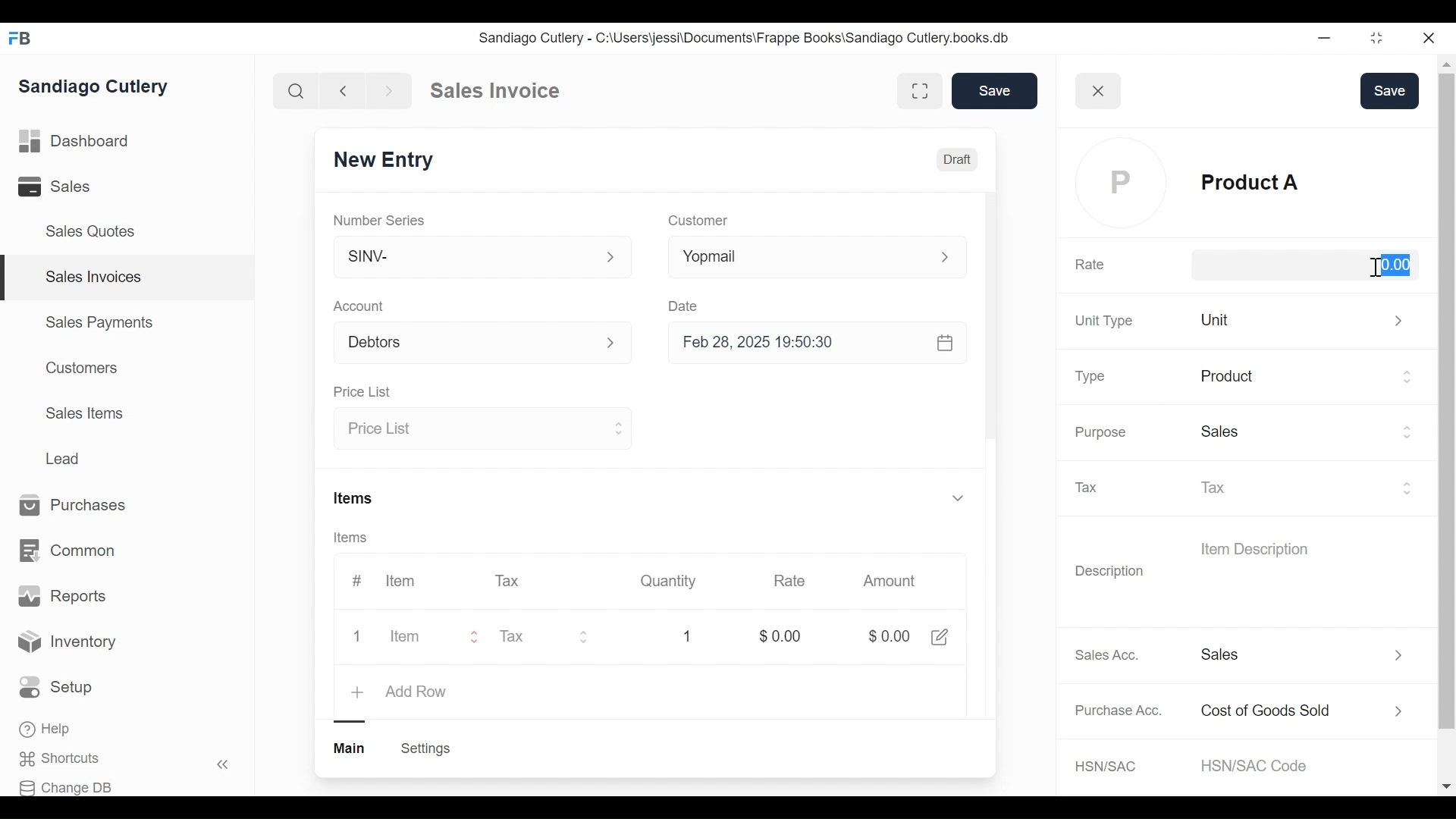 This screenshot has width=1456, height=819. Describe the element at coordinates (66, 788) in the screenshot. I see `Change DB` at that location.